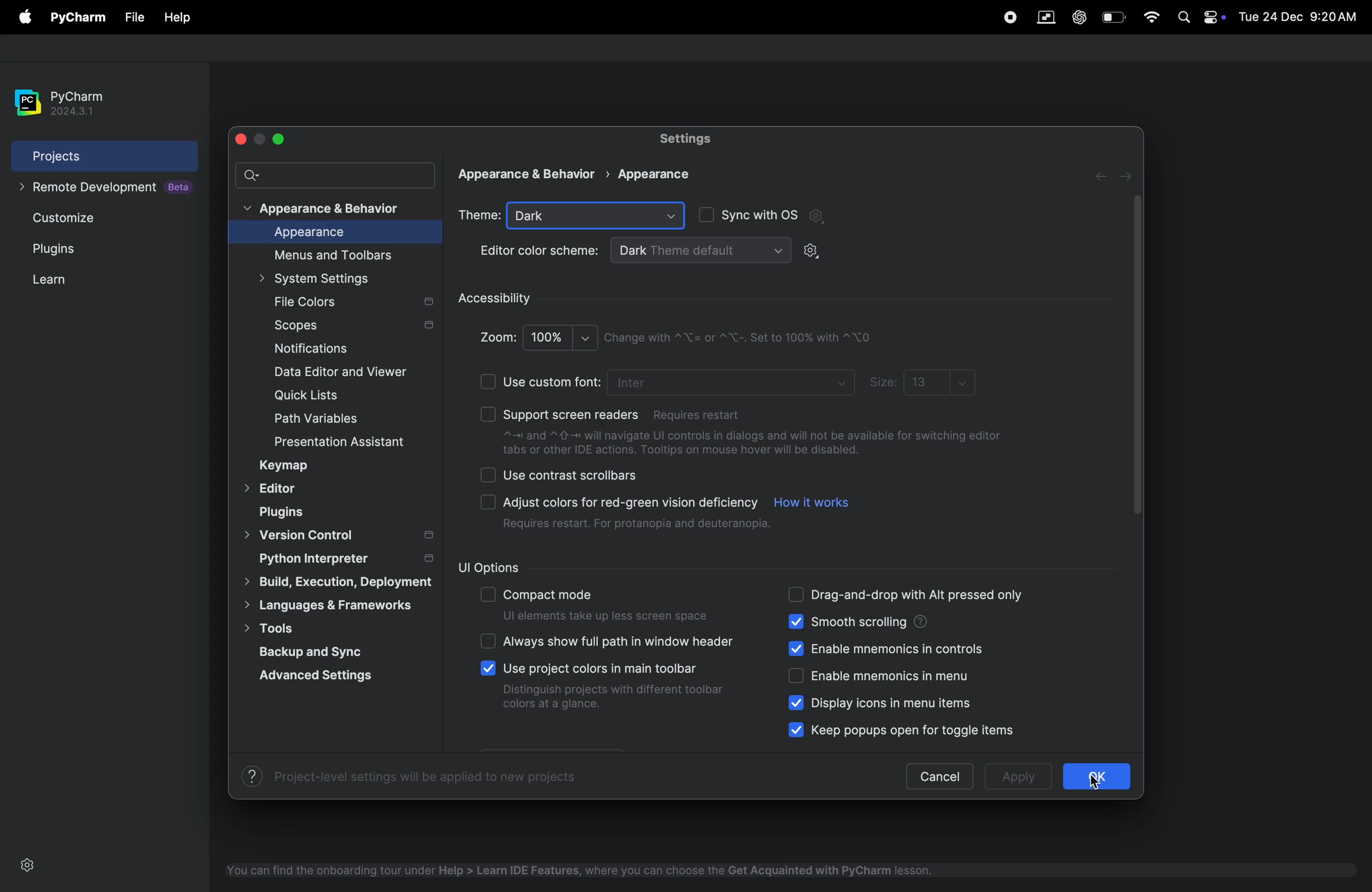 The image size is (1372, 892). I want to click on keymap, so click(287, 466).